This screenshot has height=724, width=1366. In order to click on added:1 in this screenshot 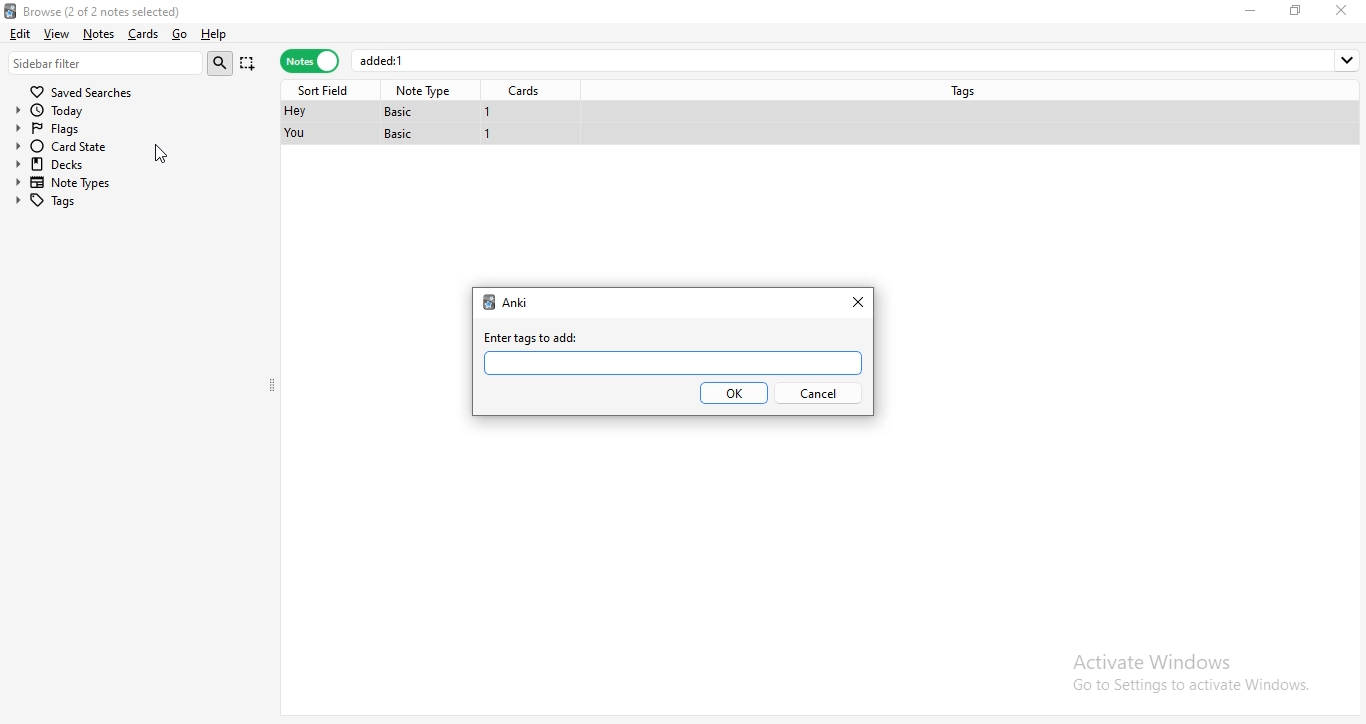, I will do `click(858, 60)`.